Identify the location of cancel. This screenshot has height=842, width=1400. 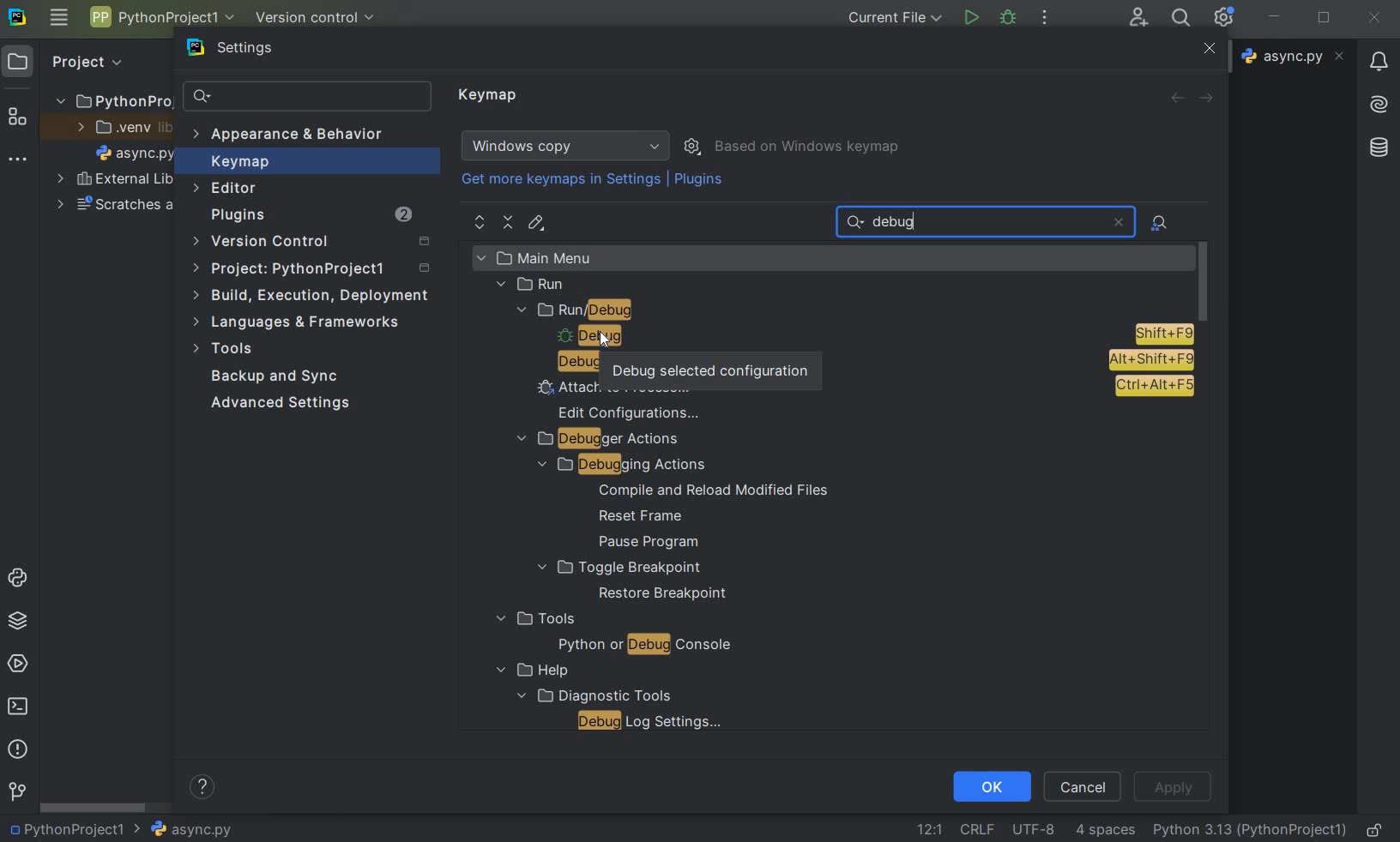
(1083, 785).